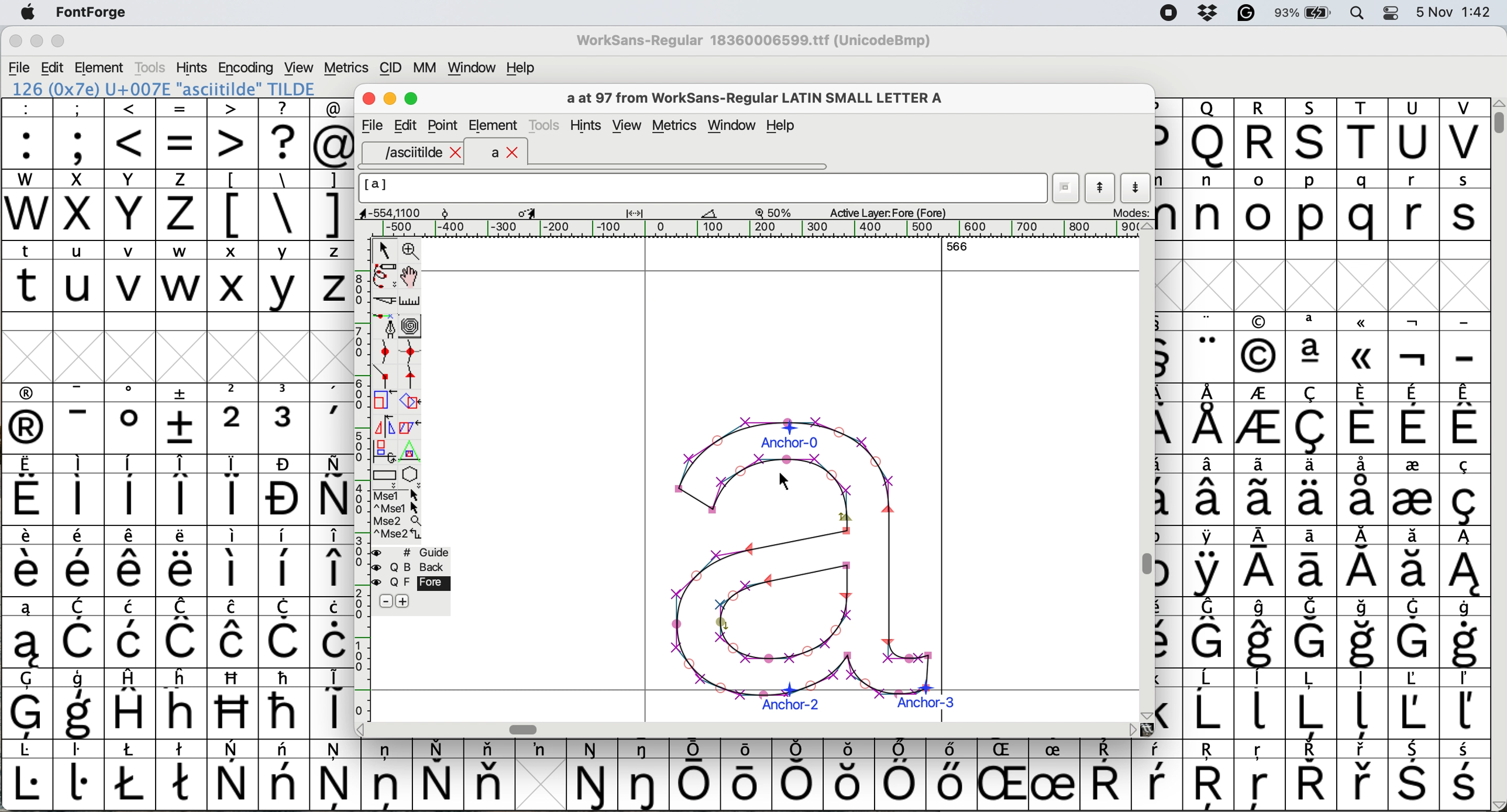 The height and width of the screenshot is (812, 1507). What do you see at coordinates (233, 133) in the screenshot?
I see `>` at bounding box center [233, 133].